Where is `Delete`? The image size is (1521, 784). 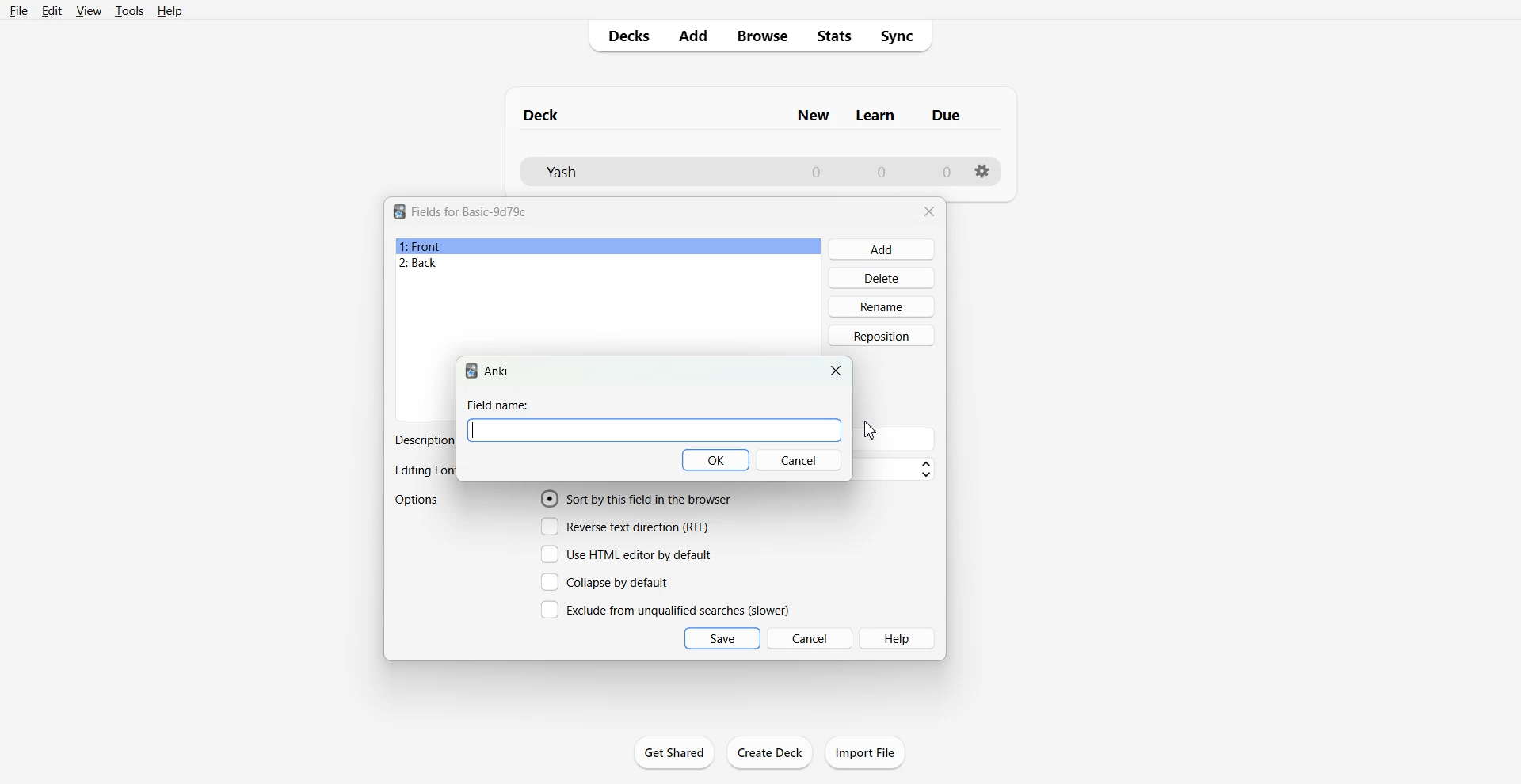
Delete is located at coordinates (882, 277).